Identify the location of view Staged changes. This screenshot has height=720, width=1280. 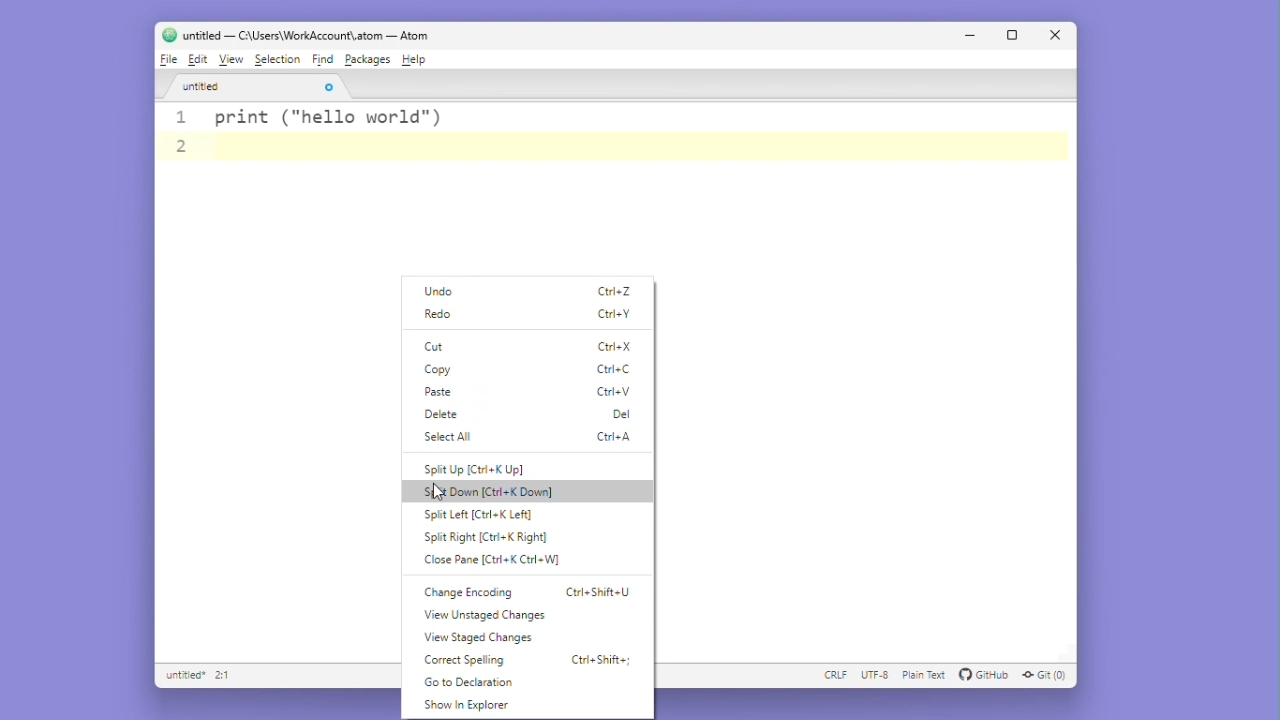
(479, 638).